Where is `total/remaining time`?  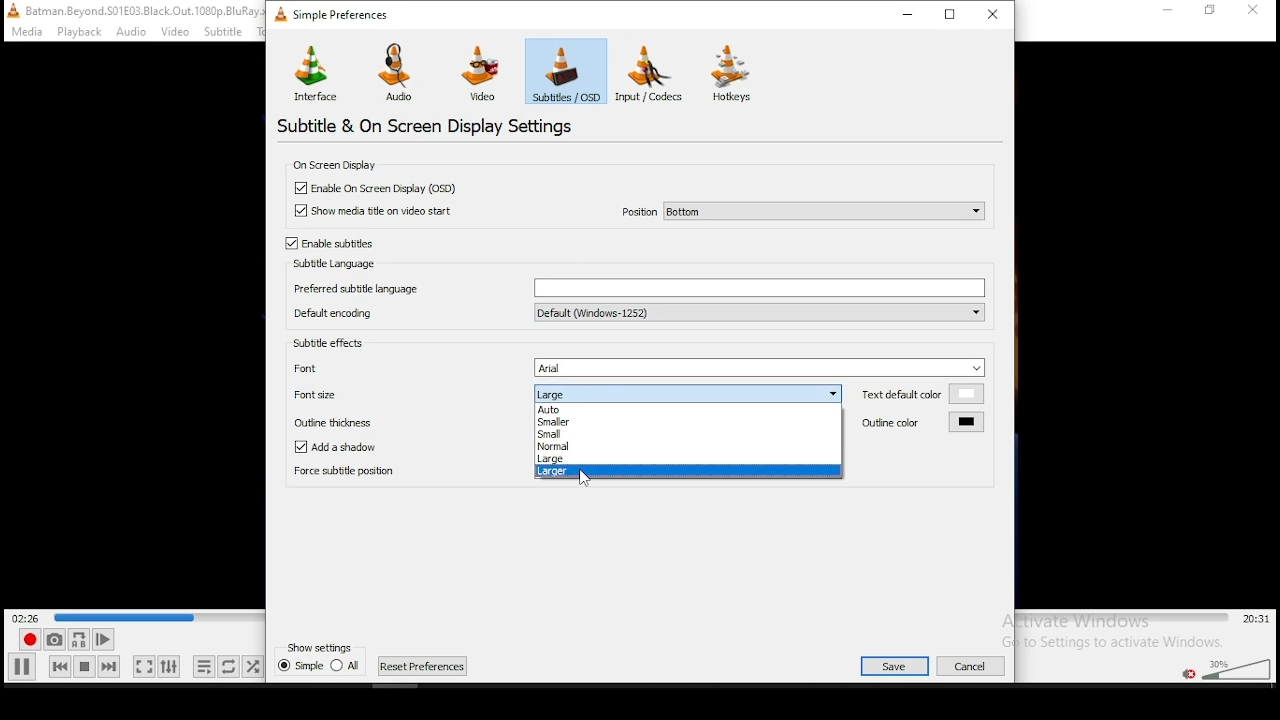 total/remaining time is located at coordinates (1258, 619).